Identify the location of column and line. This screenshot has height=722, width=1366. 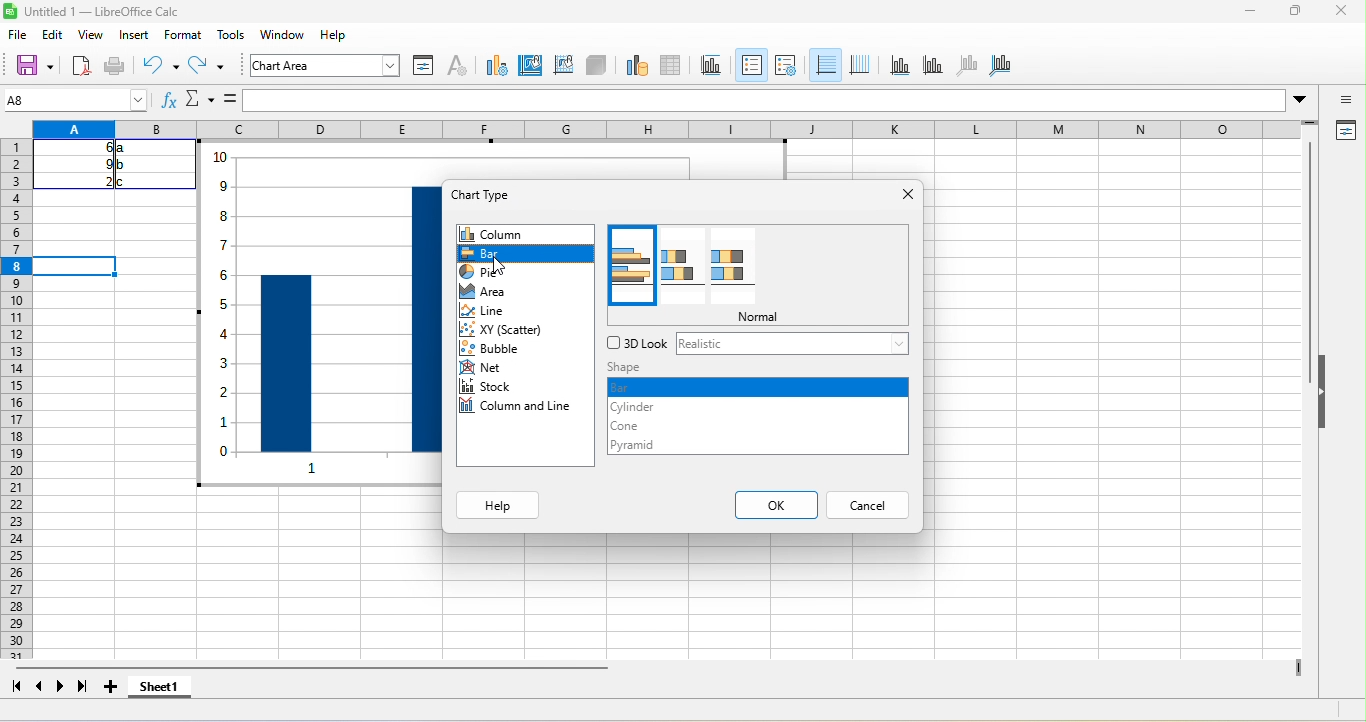
(522, 409).